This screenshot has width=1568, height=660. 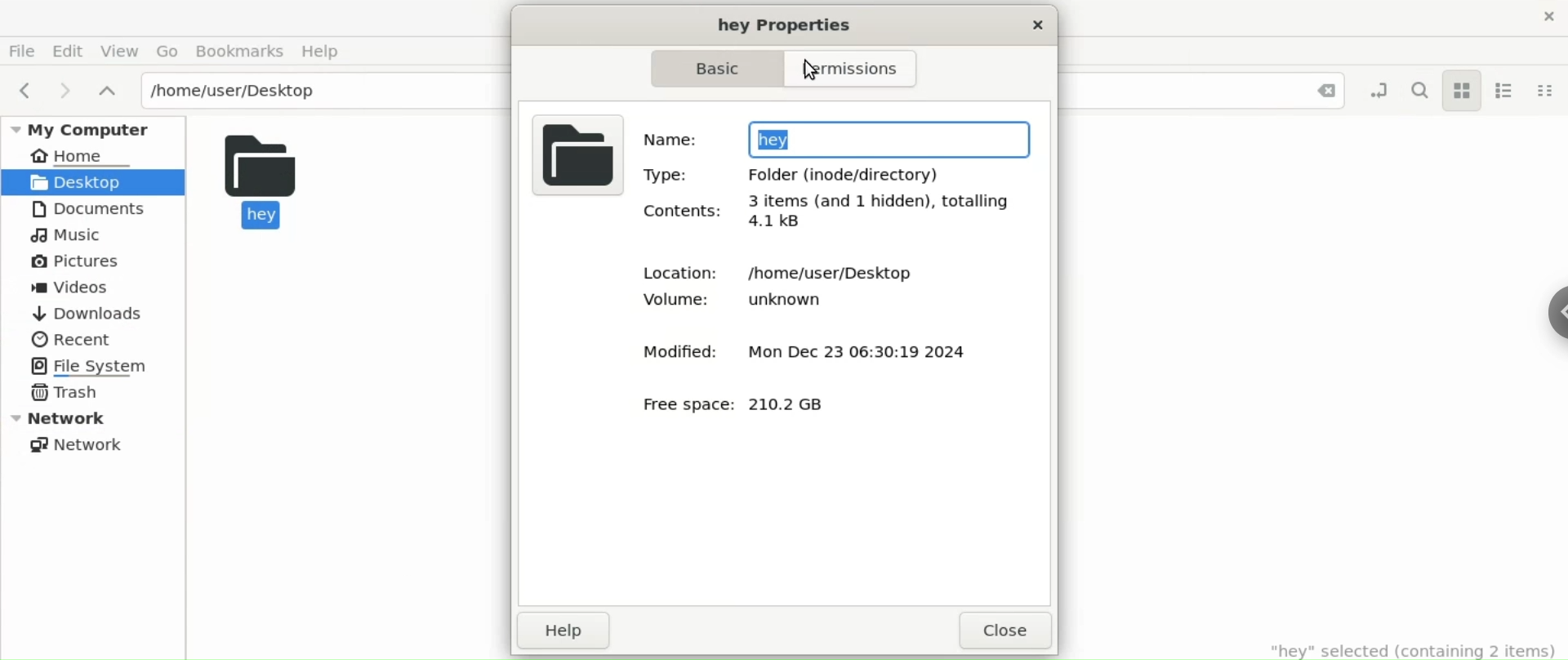 What do you see at coordinates (794, 24) in the screenshot?
I see `hey Properties` at bounding box center [794, 24].